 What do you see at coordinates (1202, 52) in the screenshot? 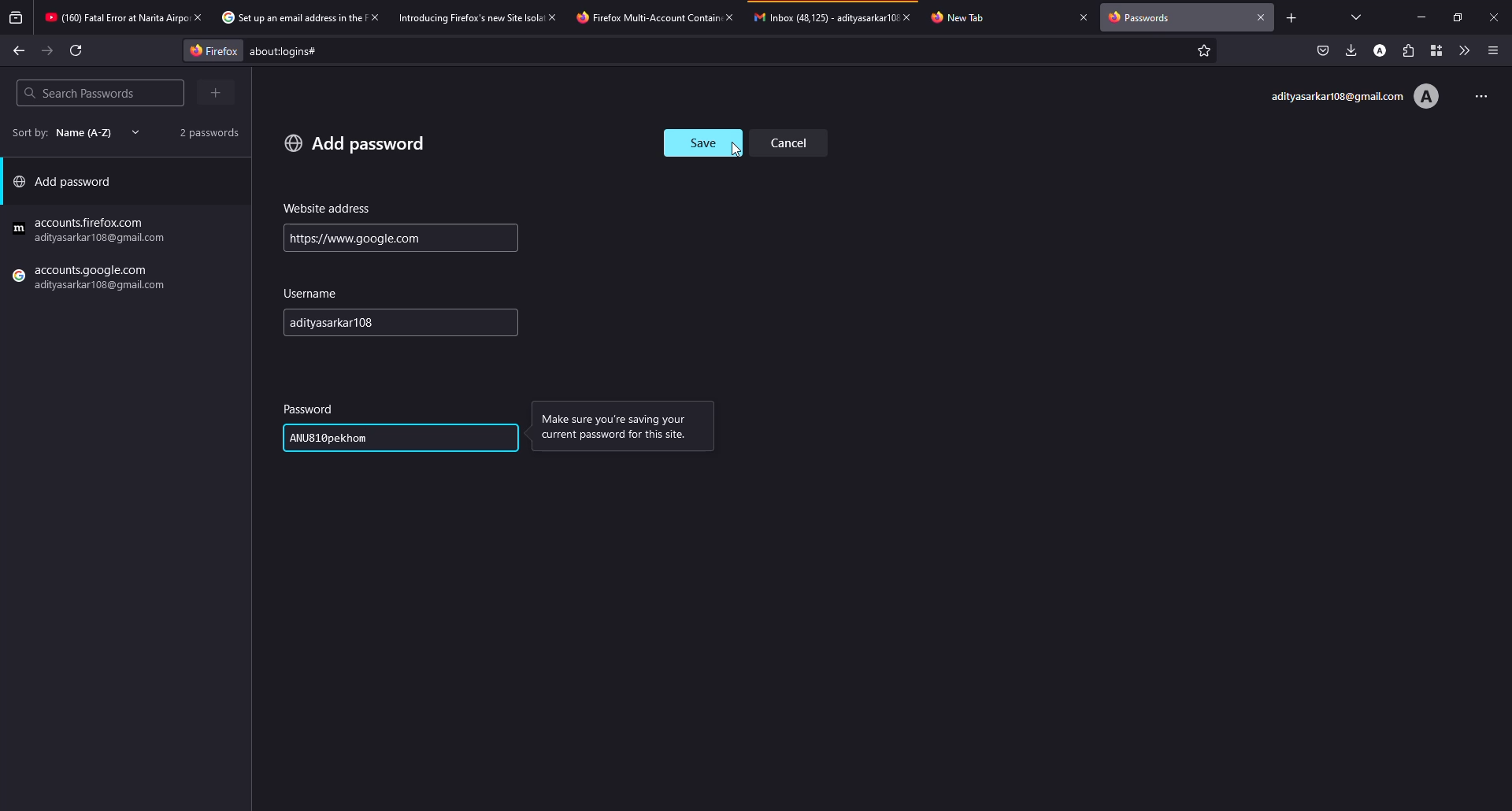
I see `favorites` at bounding box center [1202, 52].